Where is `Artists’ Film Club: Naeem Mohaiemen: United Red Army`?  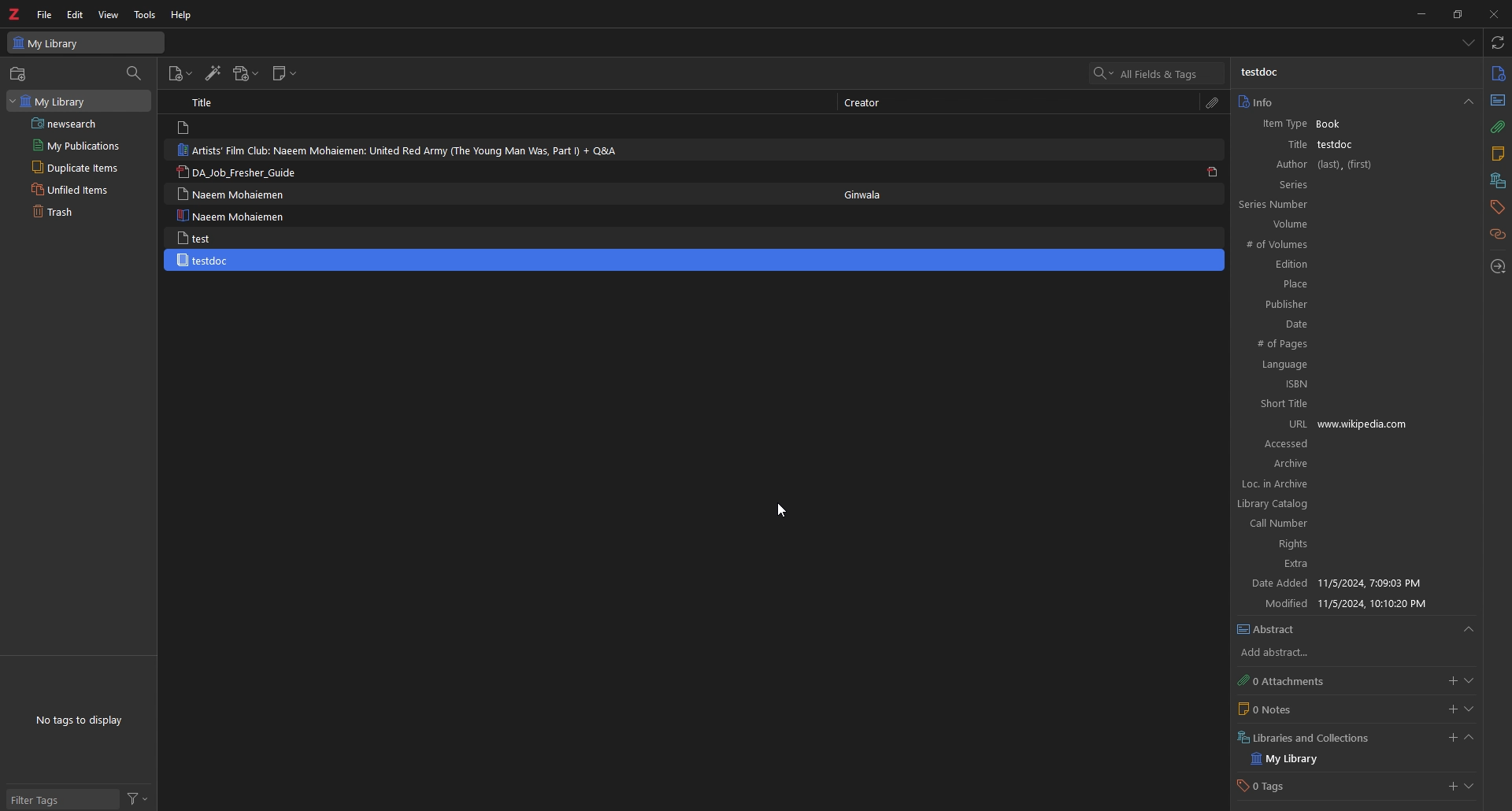 Artists’ Film Club: Naeem Mohaiemen: United Red Army is located at coordinates (402, 150).